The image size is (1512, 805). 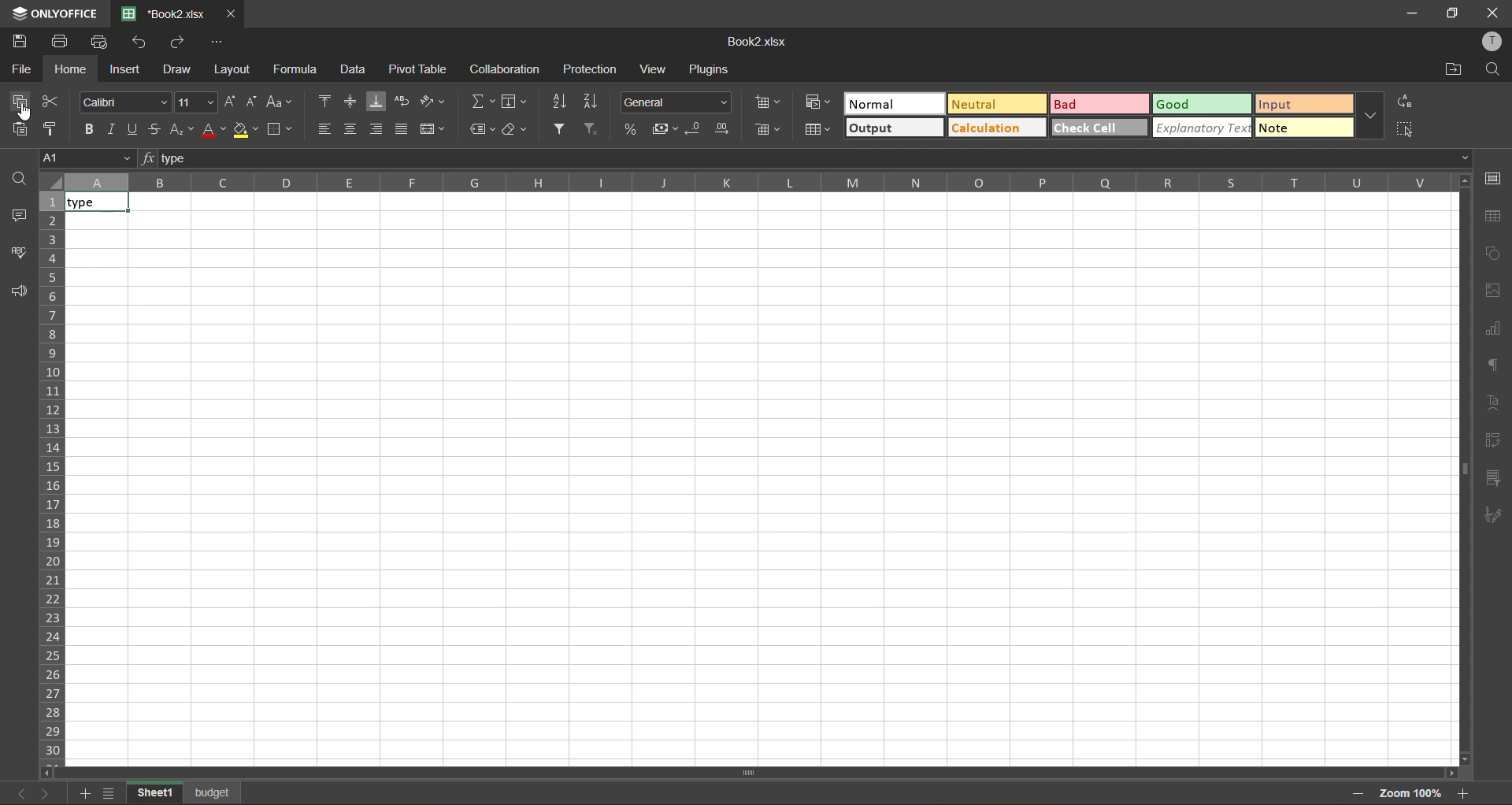 I want to click on input, so click(x=1304, y=103).